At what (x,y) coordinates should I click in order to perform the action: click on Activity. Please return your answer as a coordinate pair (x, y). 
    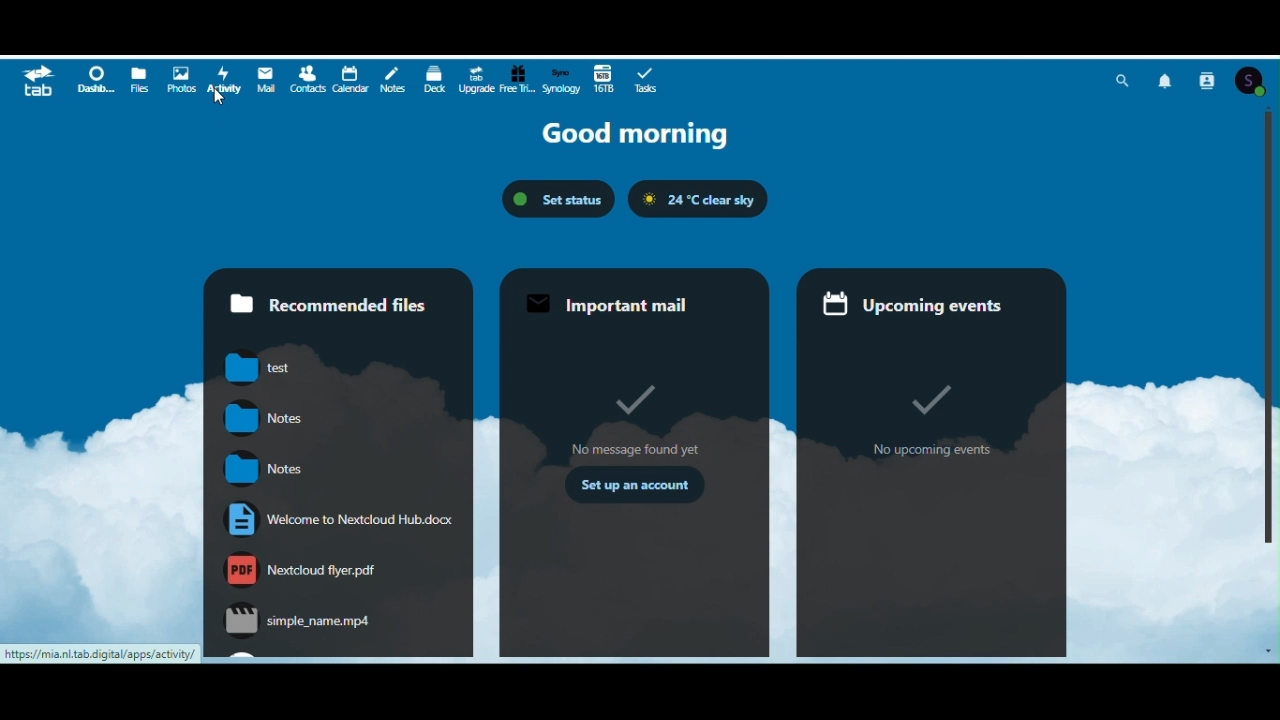
    Looking at the image, I should click on (223, 80).